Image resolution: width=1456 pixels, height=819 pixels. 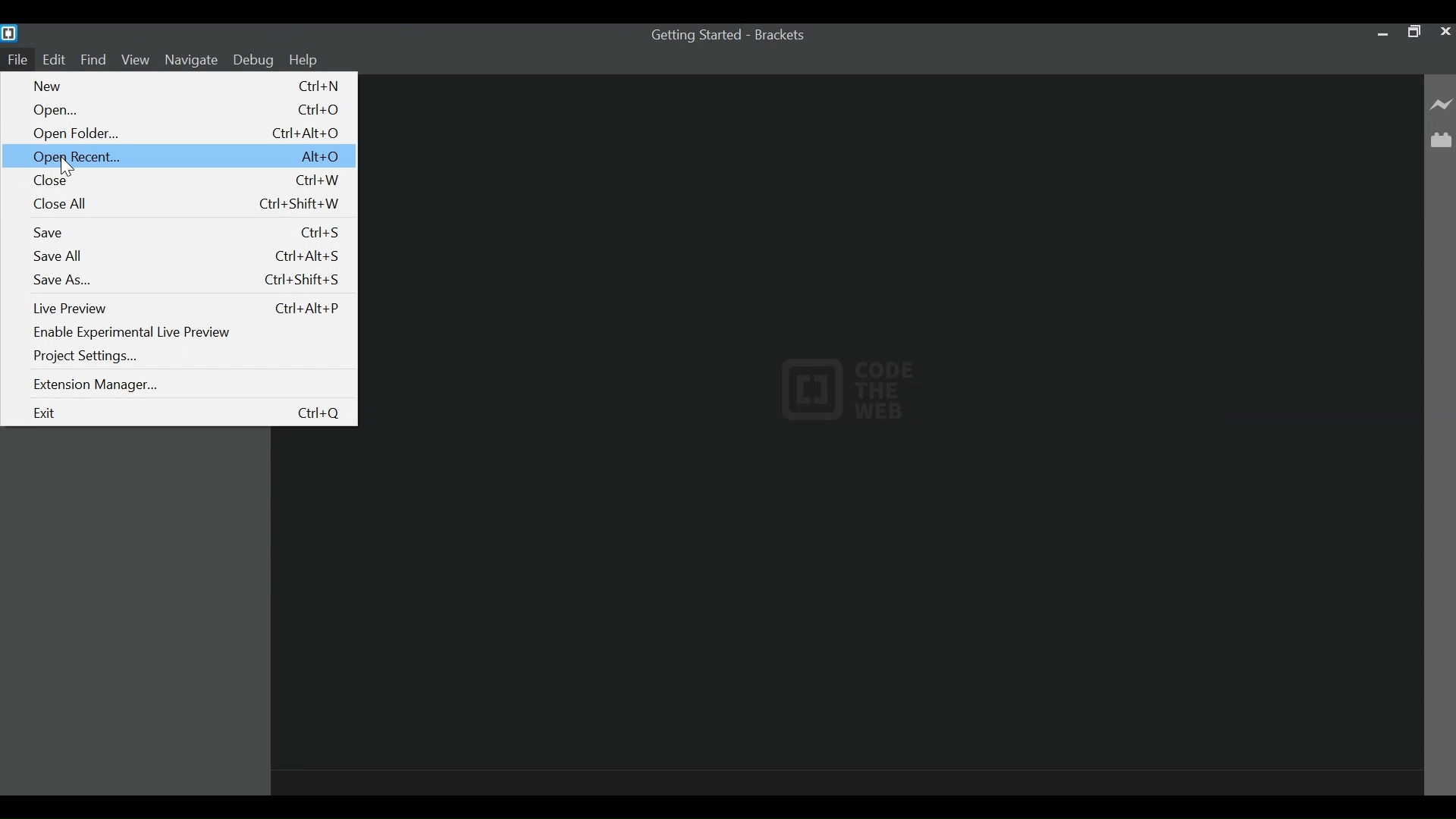 I want to click on Close, so click(x=69, y=167).